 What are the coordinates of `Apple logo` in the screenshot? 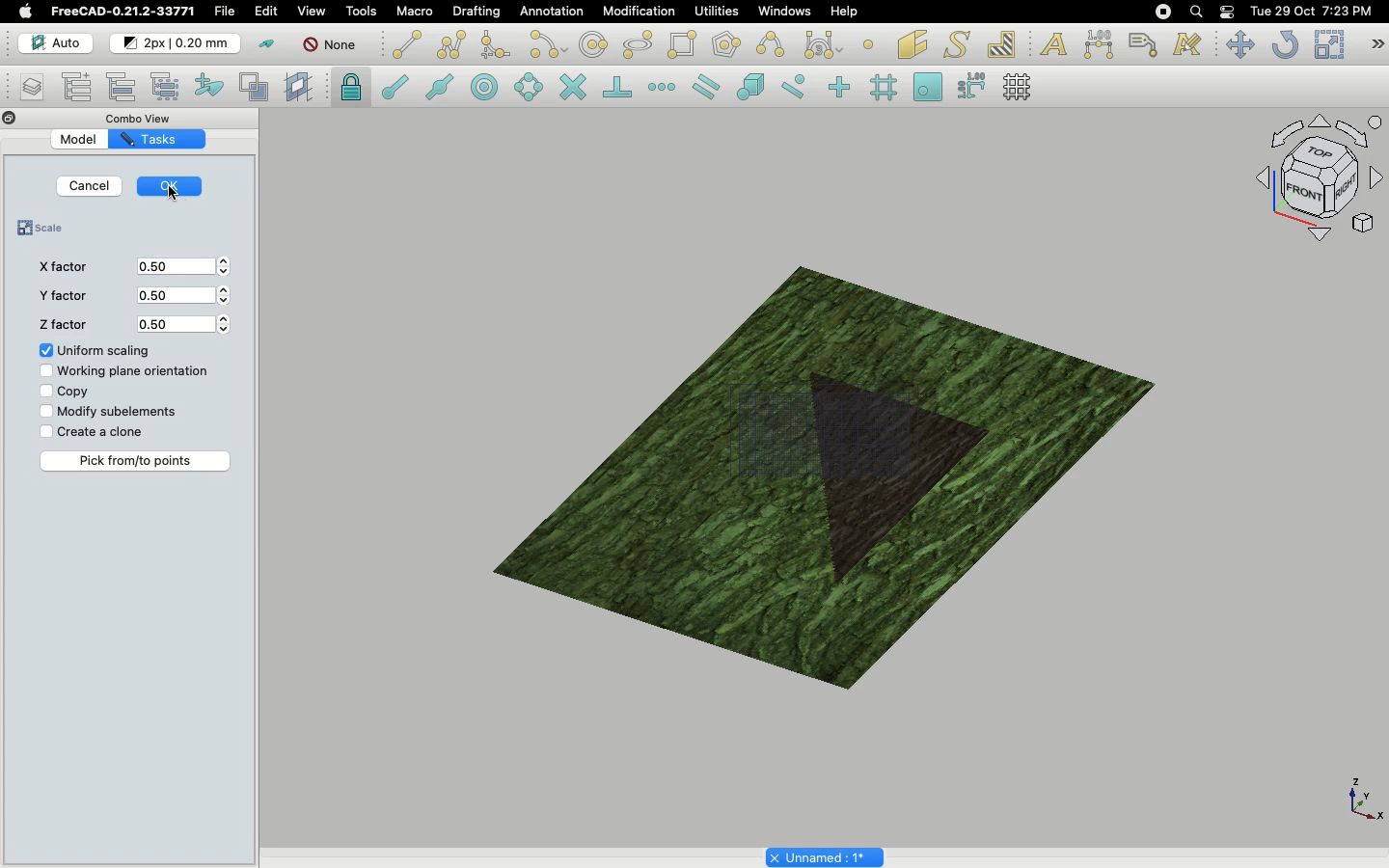 It's located at (25, 11).